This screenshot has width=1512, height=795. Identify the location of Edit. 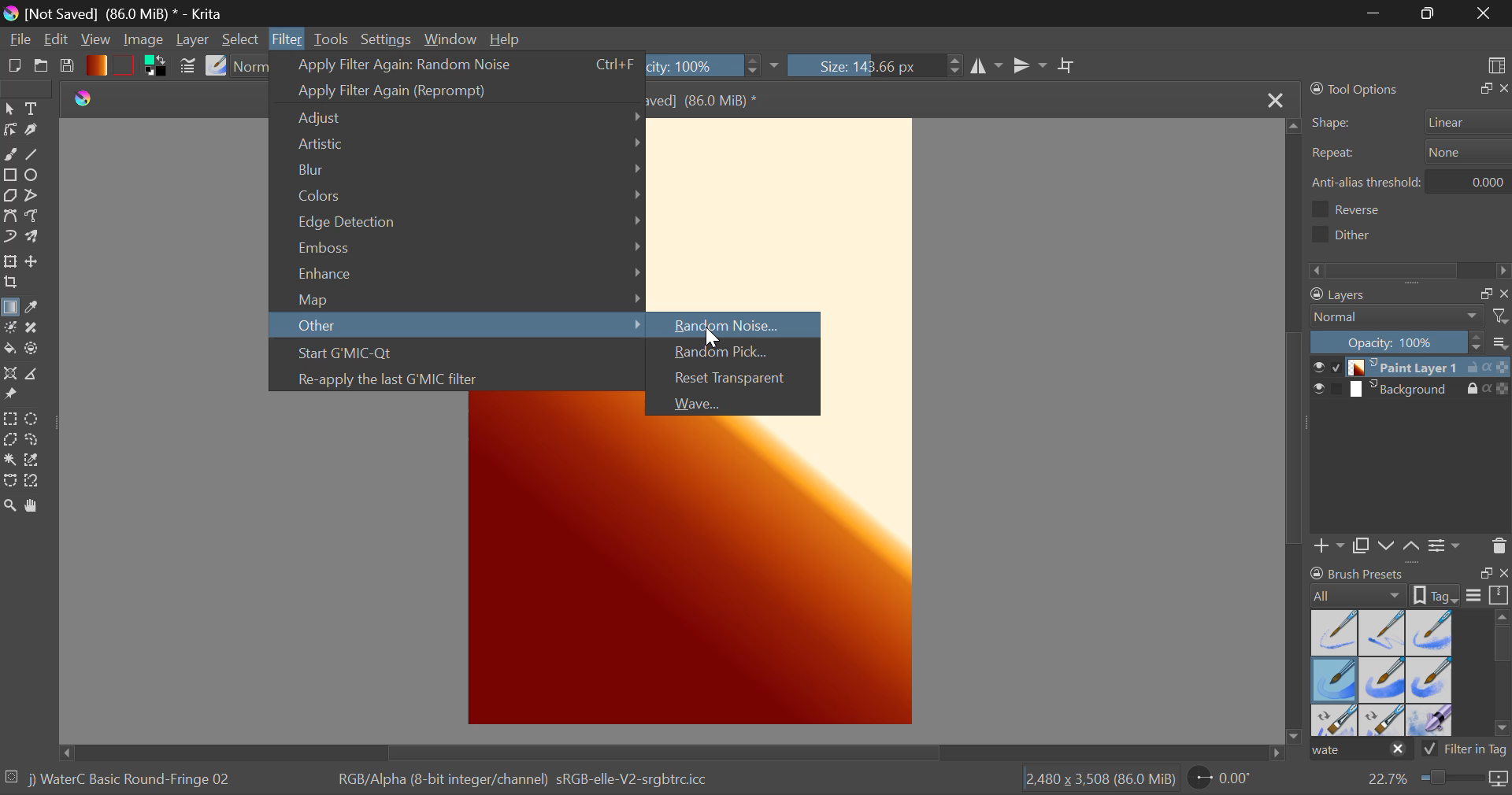
(56, 39).